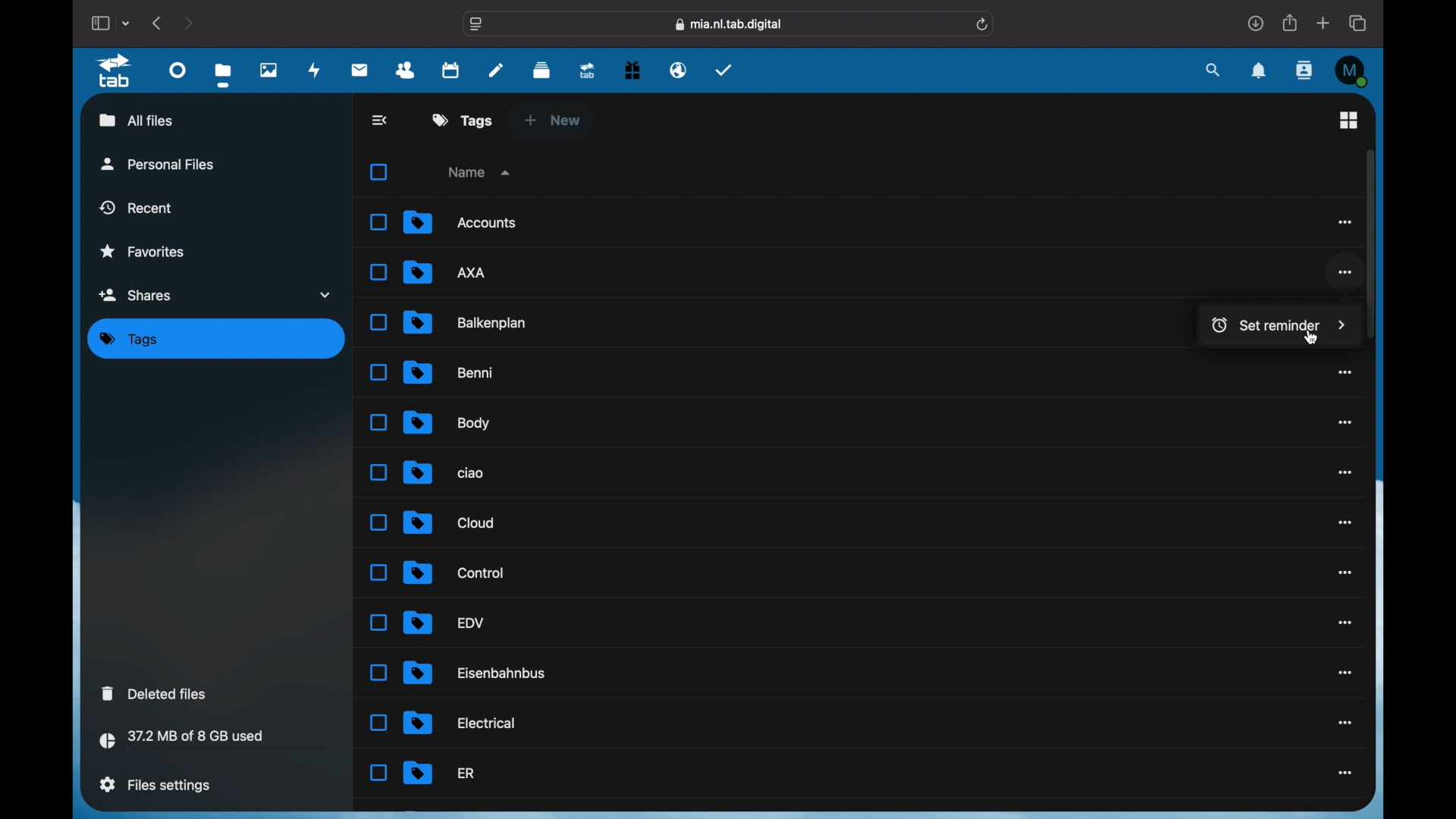 The image size is (1456, 819). Describe the element at coordinates (1346, 673) in the screenshot. I see `more options` at that location.